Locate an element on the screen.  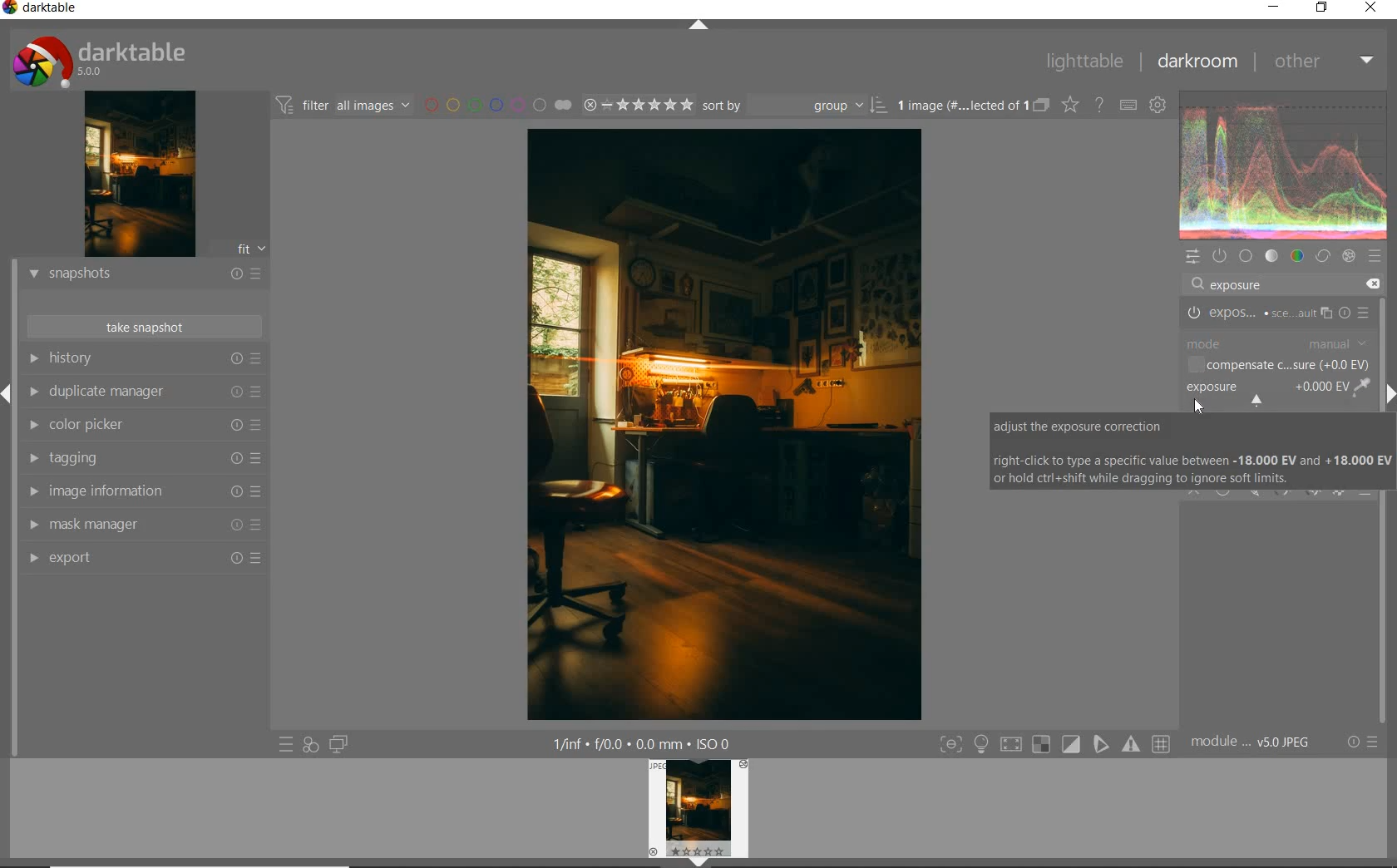
enable online help is located at coordinates (1099, 106).